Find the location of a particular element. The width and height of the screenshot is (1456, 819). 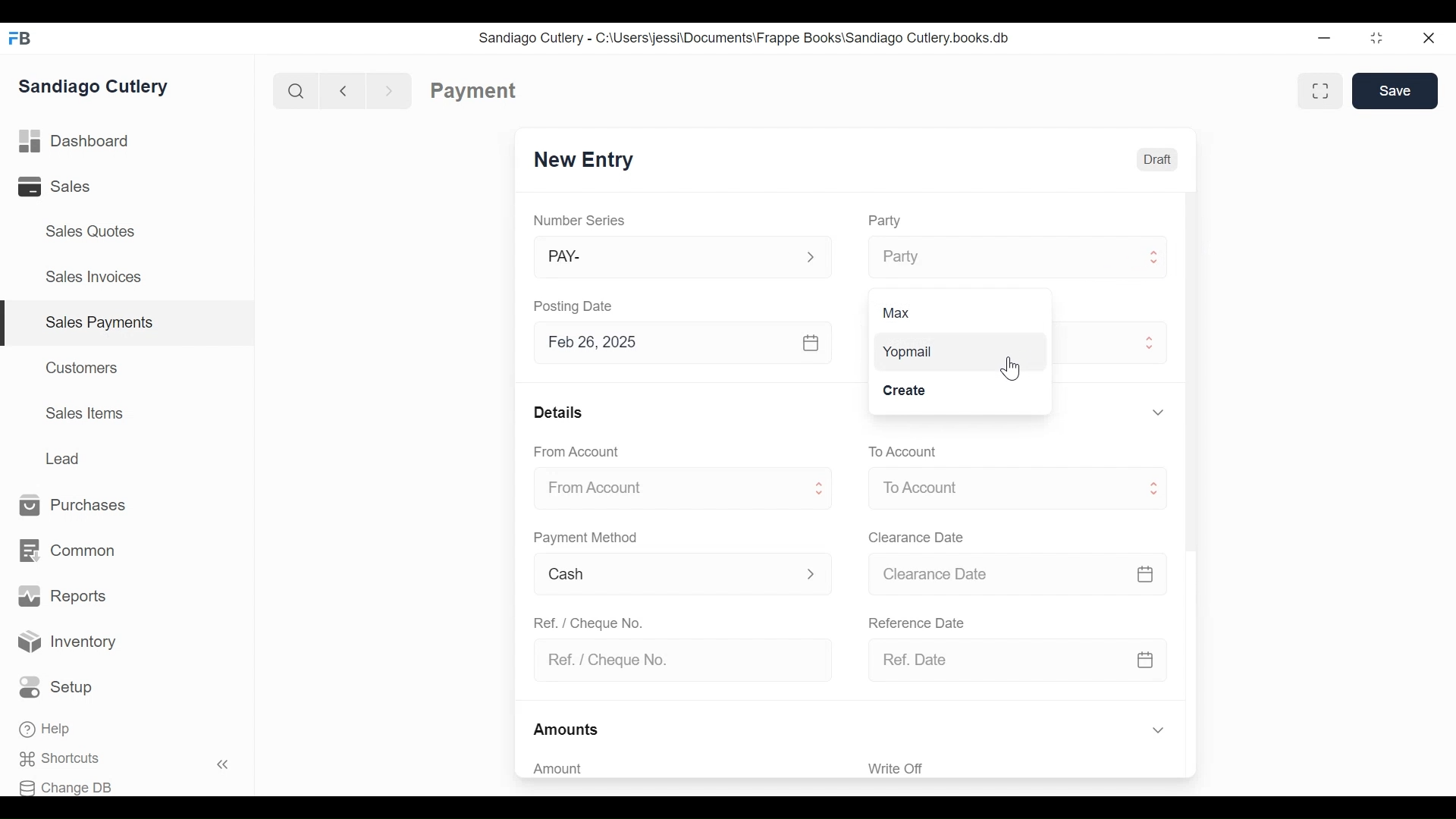

Setup is located at coordinates (60, 688).